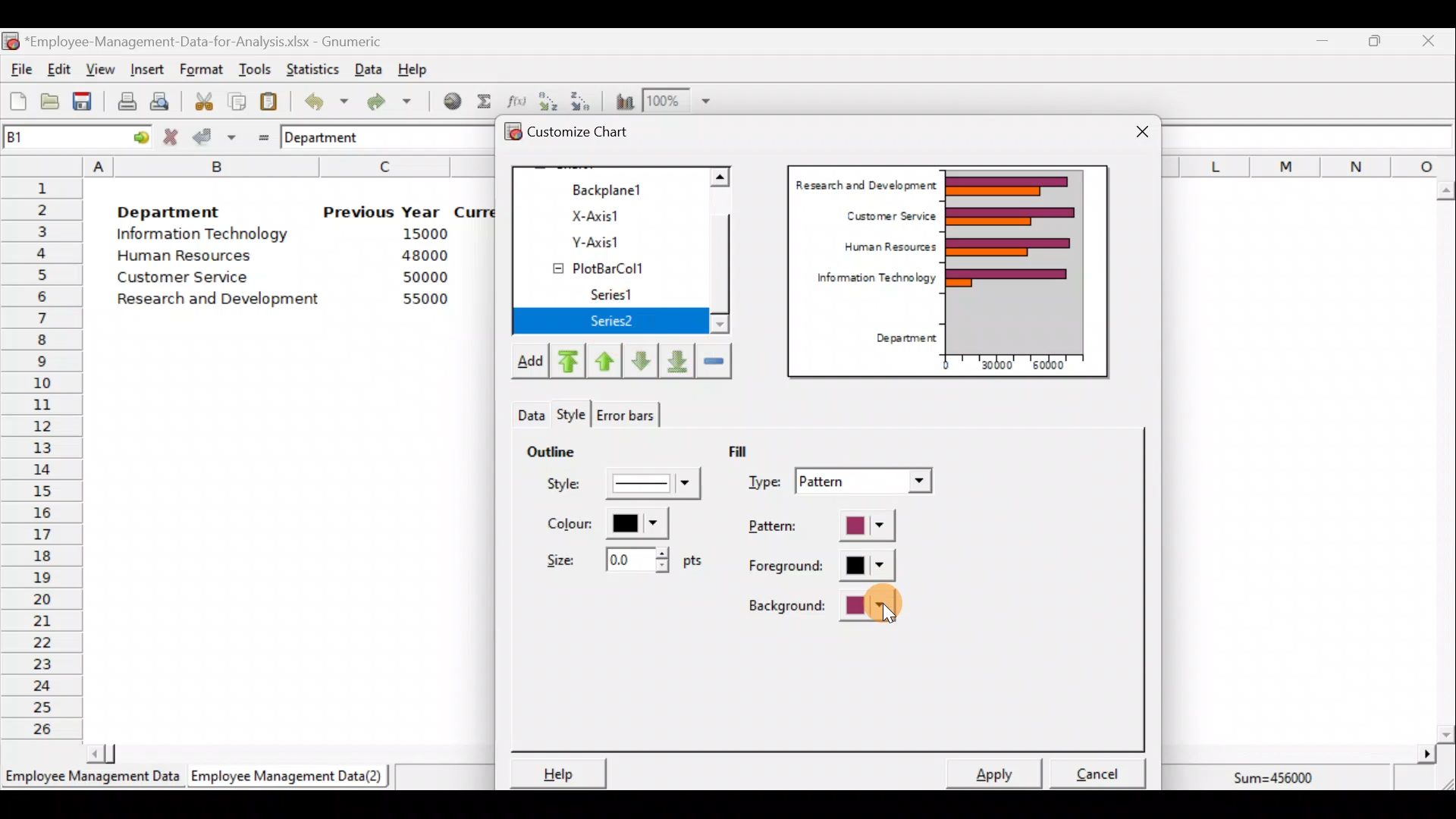  I want to click on Size, so click(620, 558).